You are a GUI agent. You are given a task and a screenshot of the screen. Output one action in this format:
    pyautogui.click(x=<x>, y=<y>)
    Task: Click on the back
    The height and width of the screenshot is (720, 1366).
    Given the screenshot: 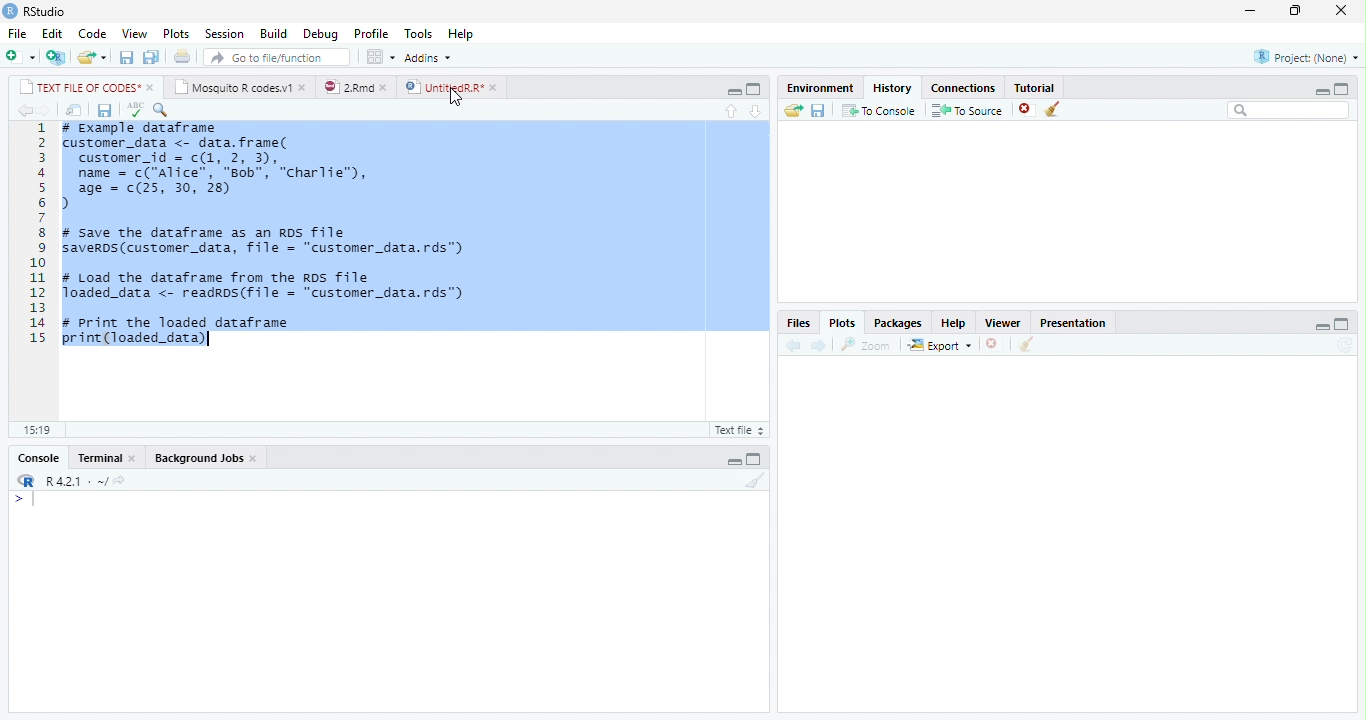 What is the action you would take?
    pyautogui.click(x=26, y=111)
    